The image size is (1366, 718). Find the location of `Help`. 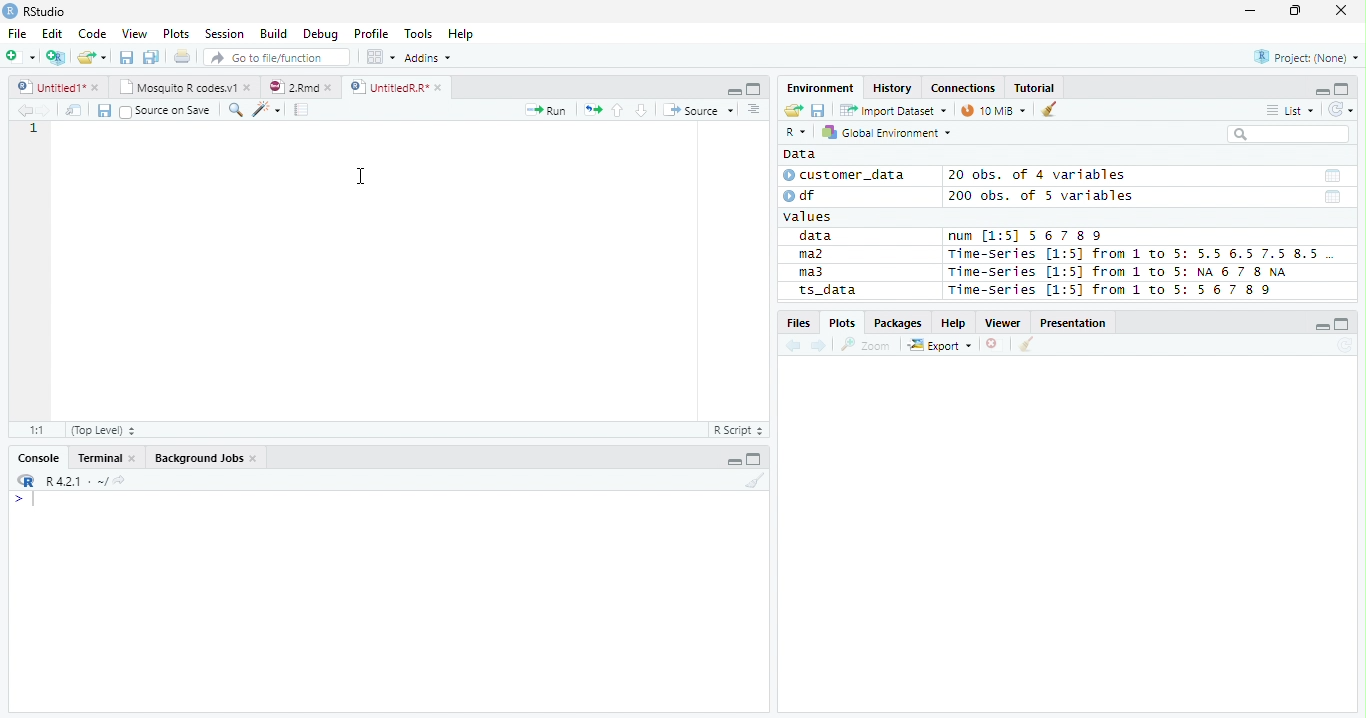

Help is located at coordinates (954, 324).